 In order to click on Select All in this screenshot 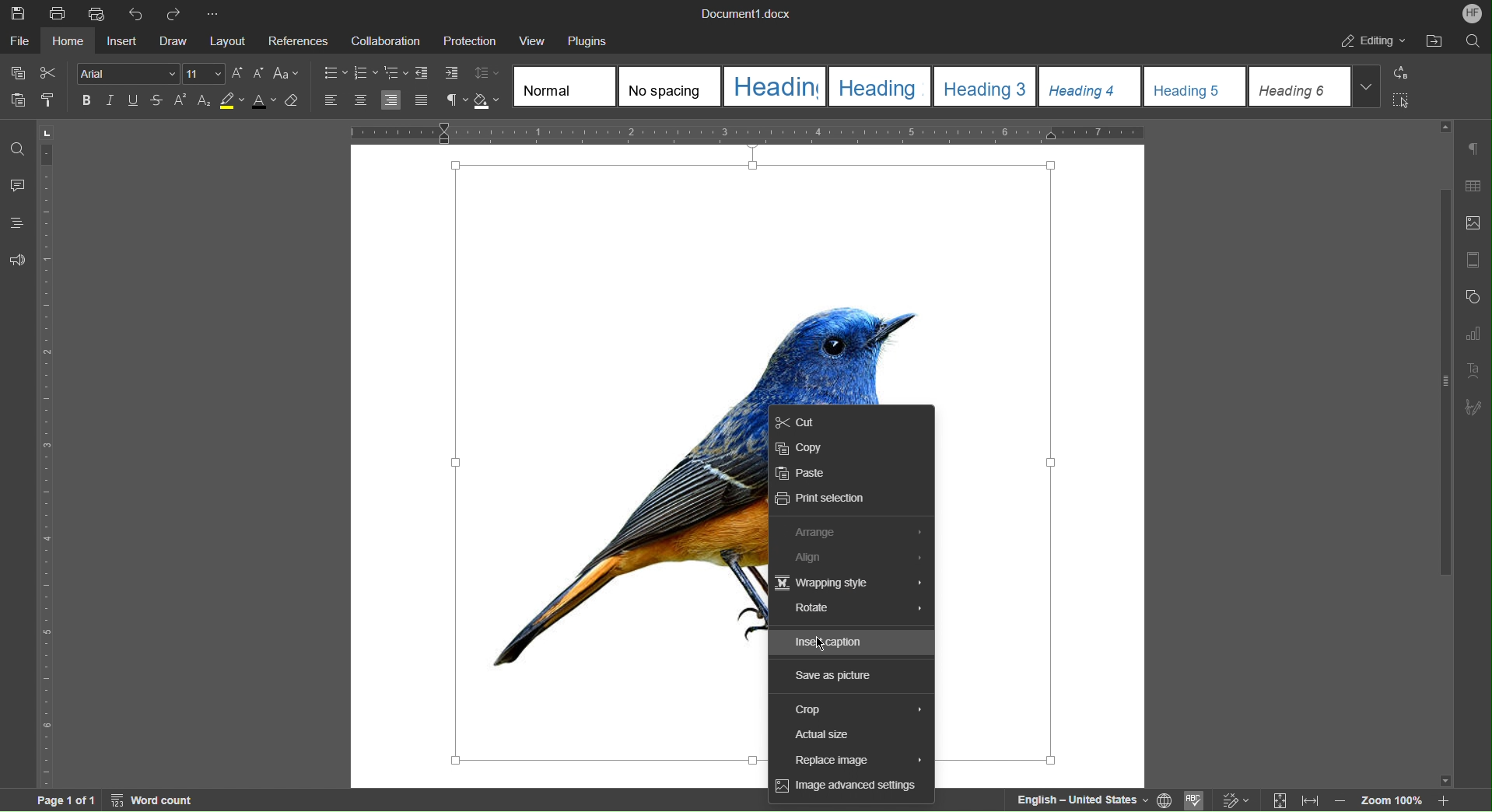, I will do `click(1400, 101)`.